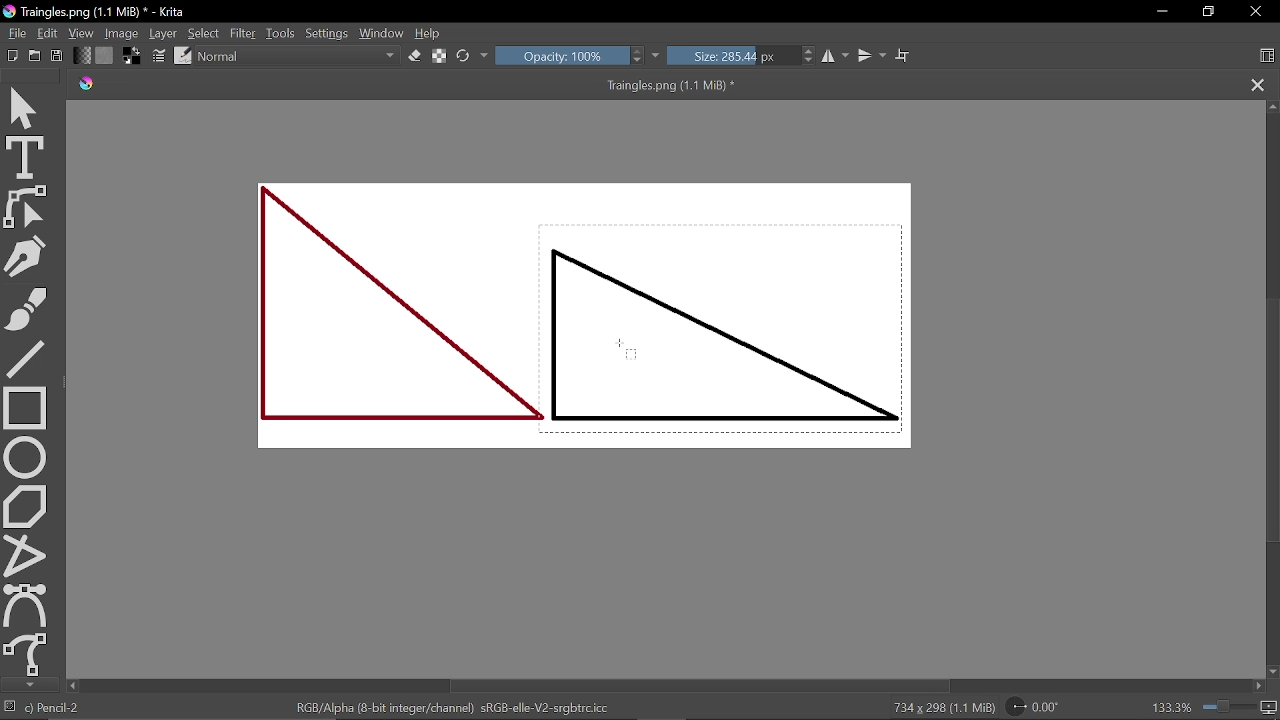 The width and height of the screenshot is (1280, 720). I want to click on 734 x 298 (1.1 MiB), so click(932, 706).